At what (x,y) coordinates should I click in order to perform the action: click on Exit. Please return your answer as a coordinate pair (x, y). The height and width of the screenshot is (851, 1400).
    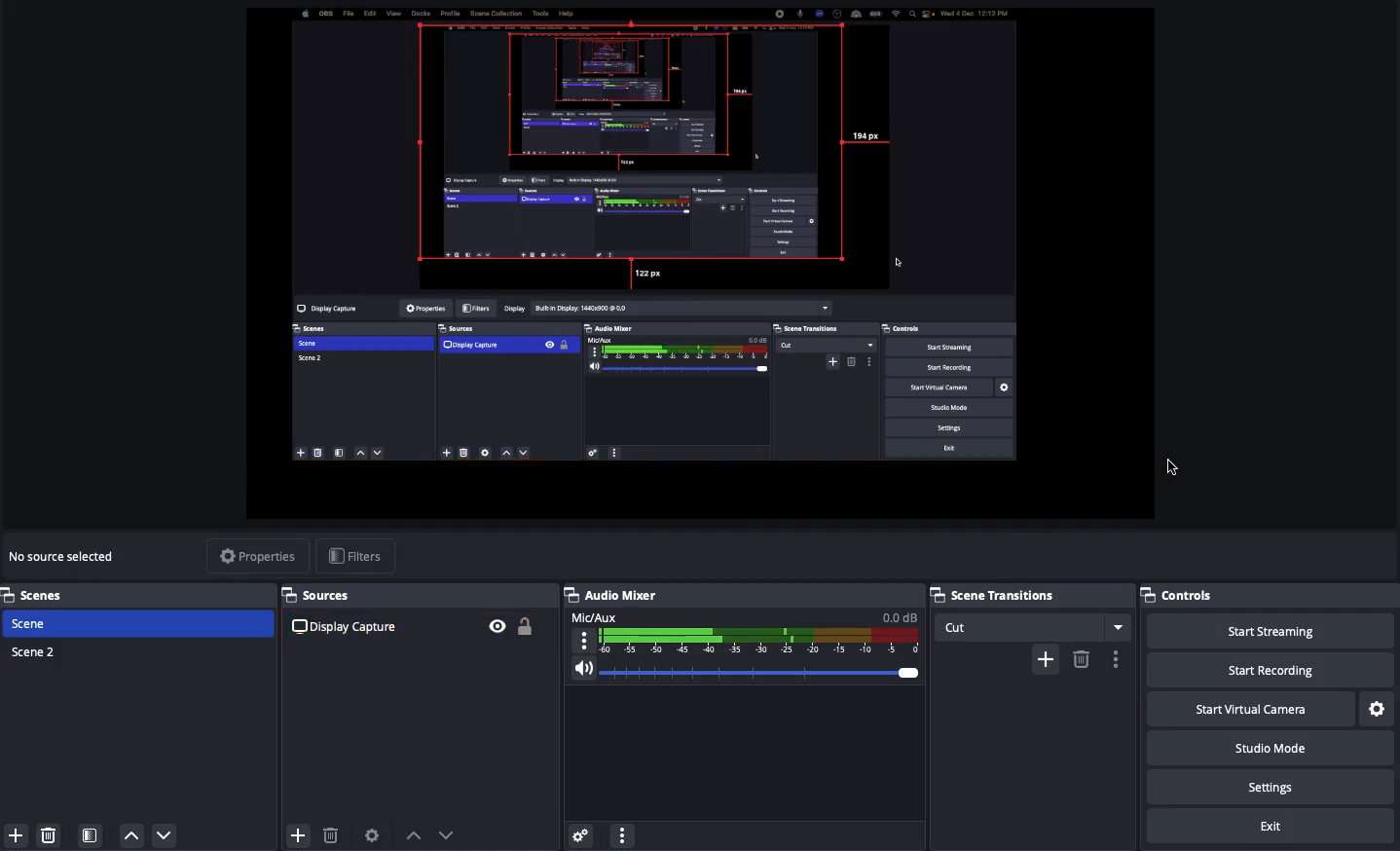
    Looking at the image, I should click on (1273, 828).